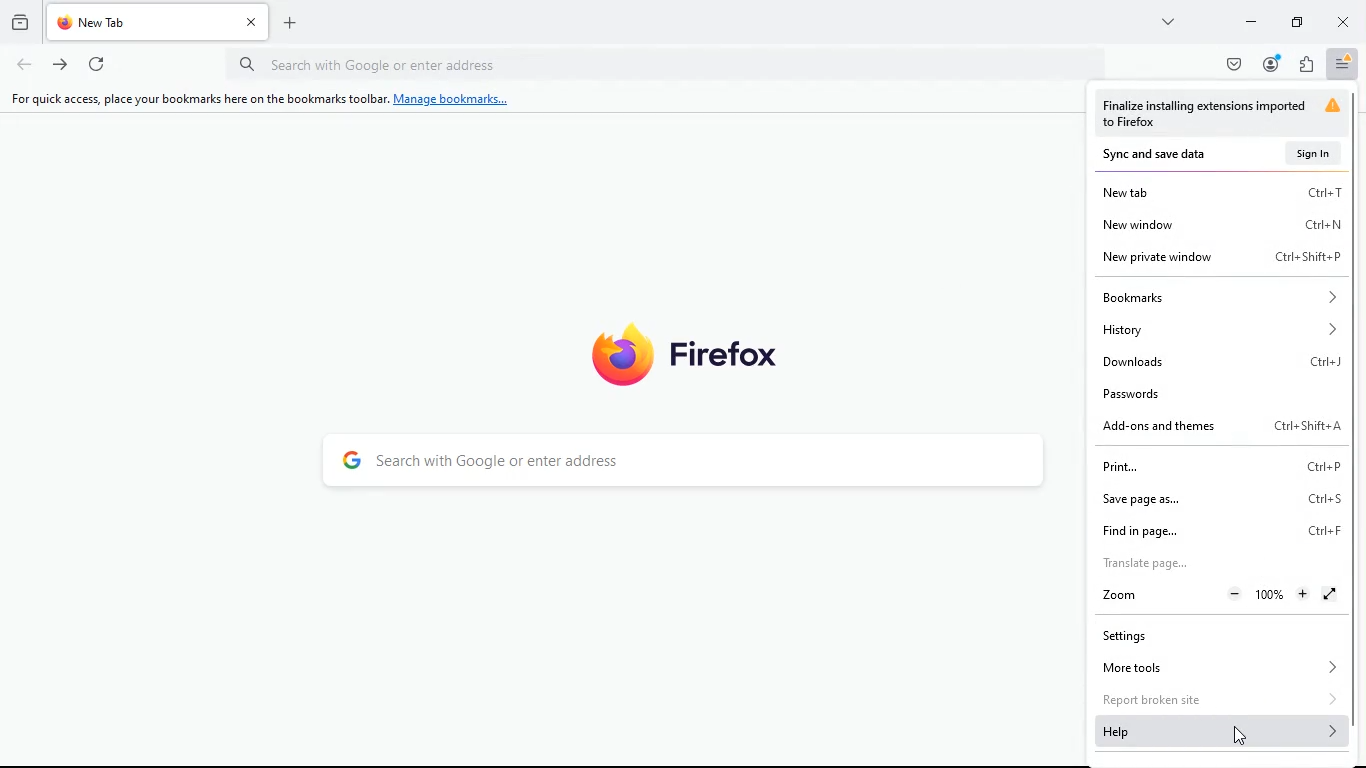  Describe the element at coordinates (1167, 25) in the screenshot. I see `more` at that location.